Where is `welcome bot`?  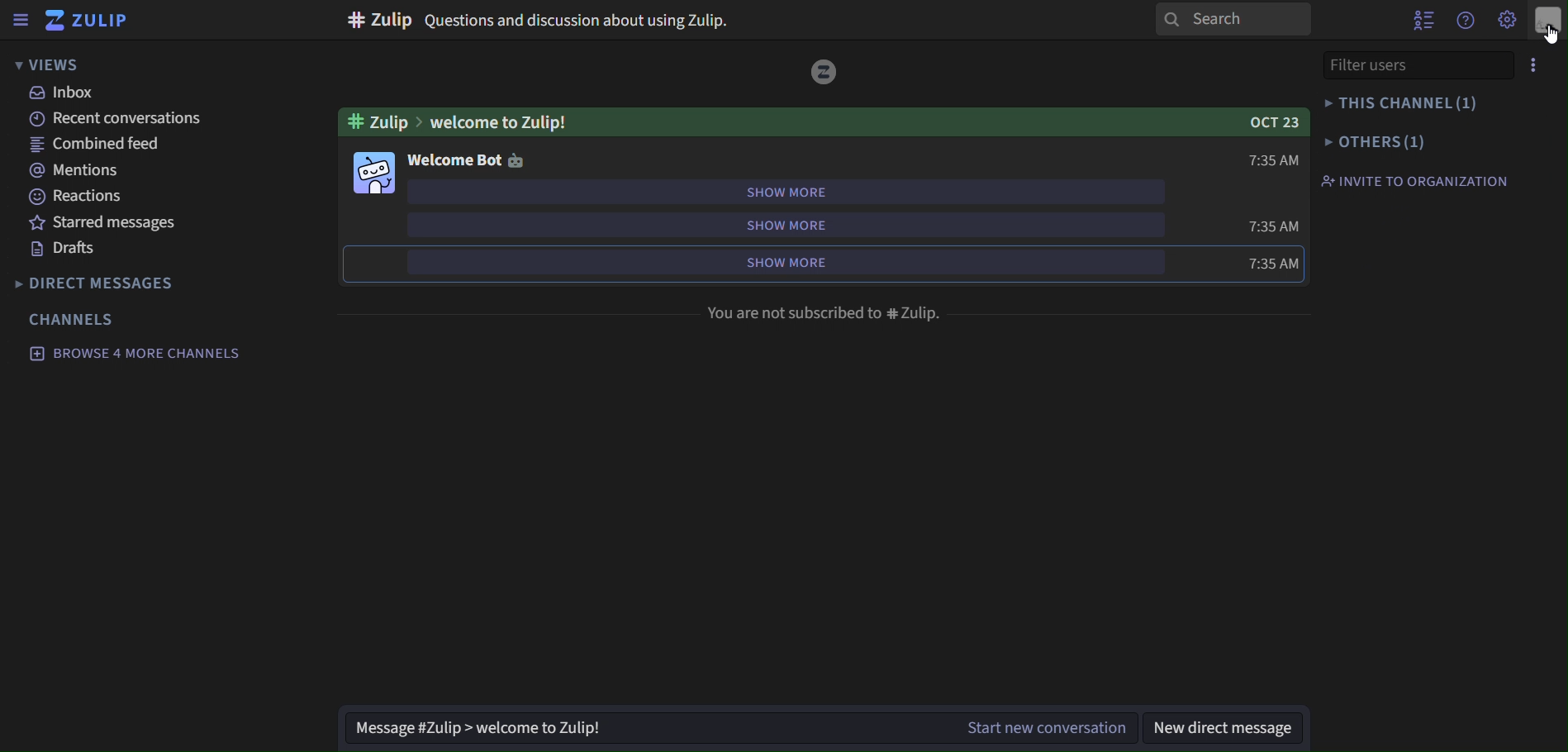
welcome bot is located at coordinates (454, 159).